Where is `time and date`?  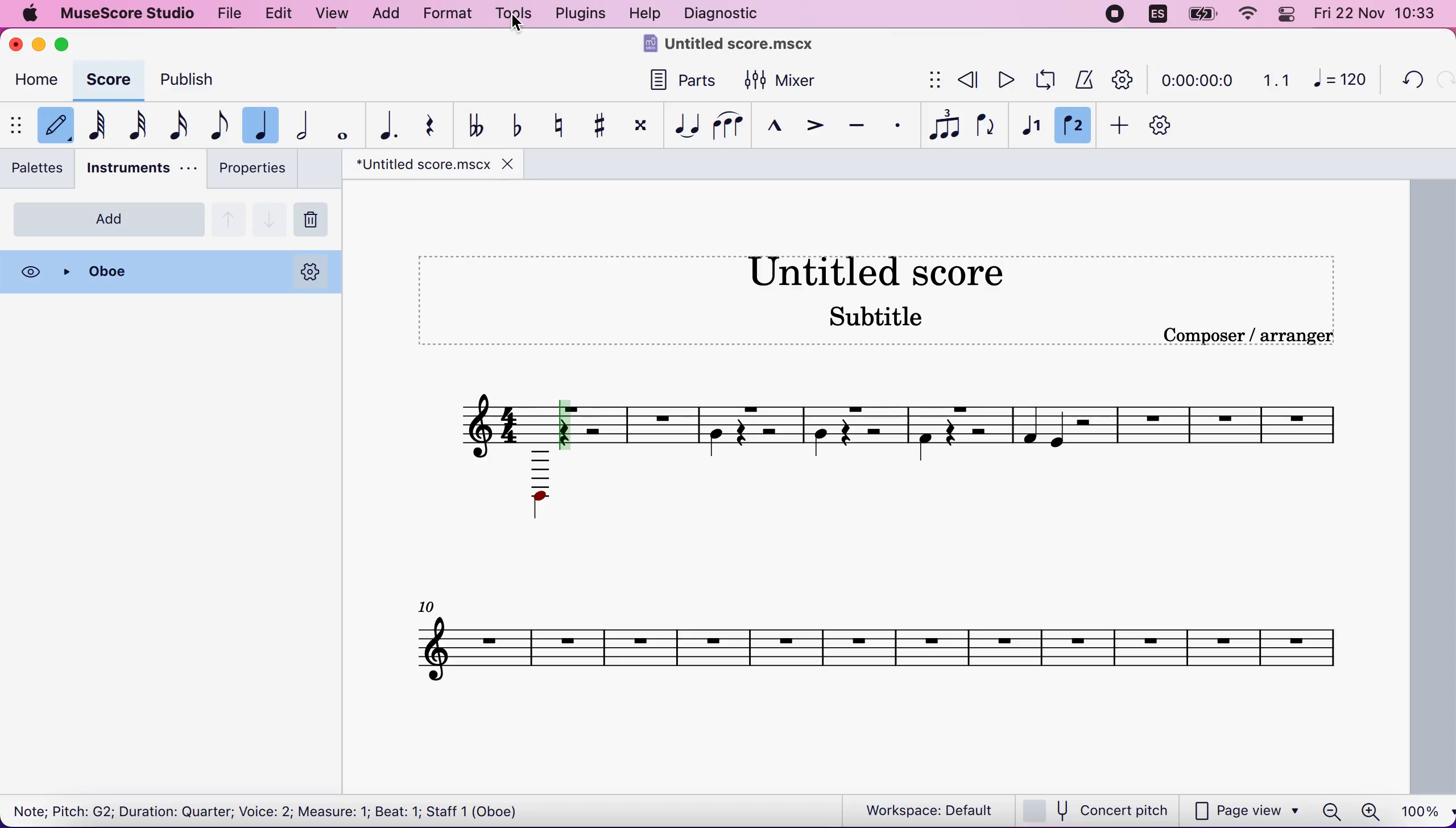
time and date is located at coordinates (1379, 15).